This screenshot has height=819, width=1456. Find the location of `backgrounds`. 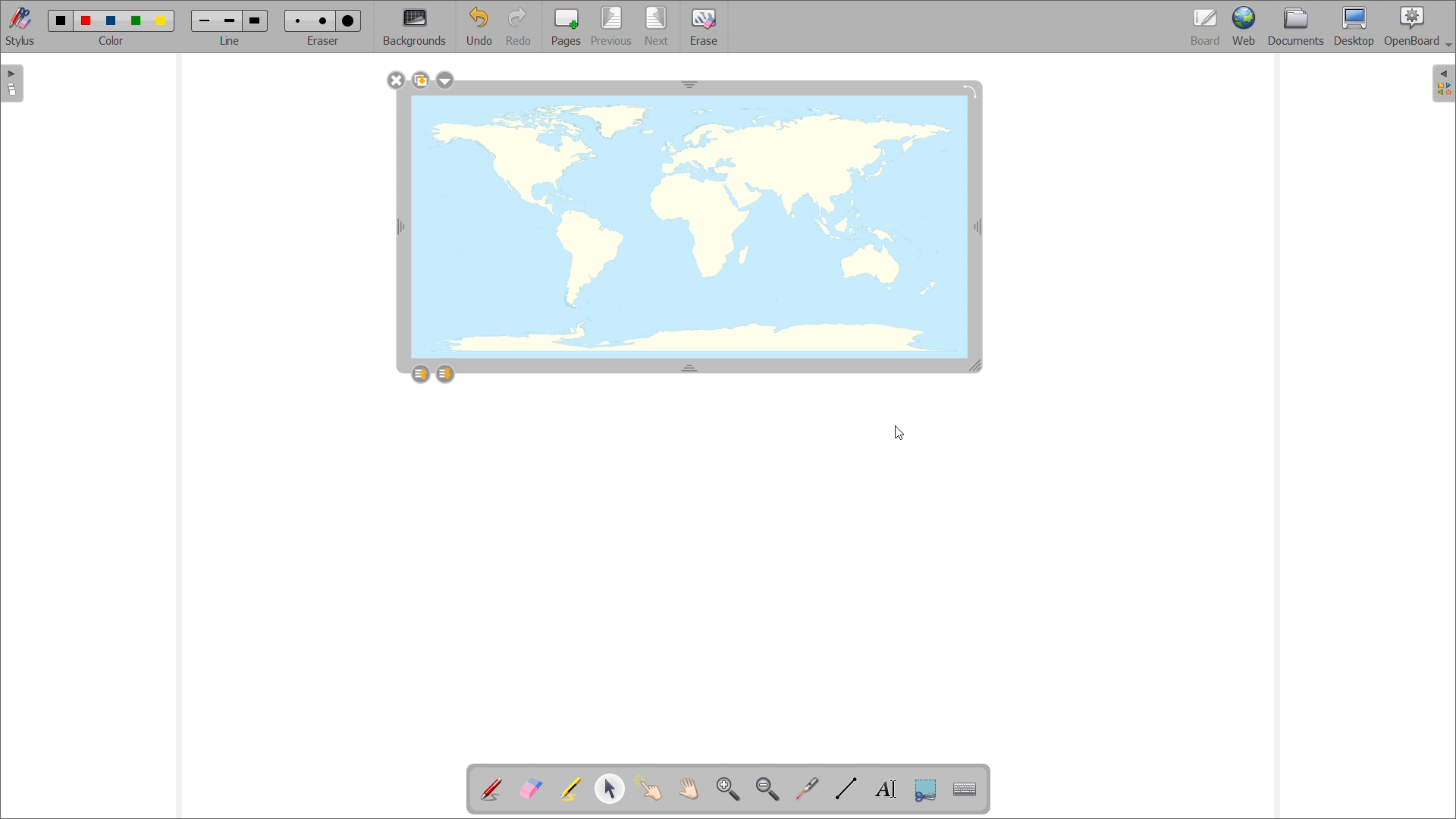

backgrounds is located at coordinates (415, 27).